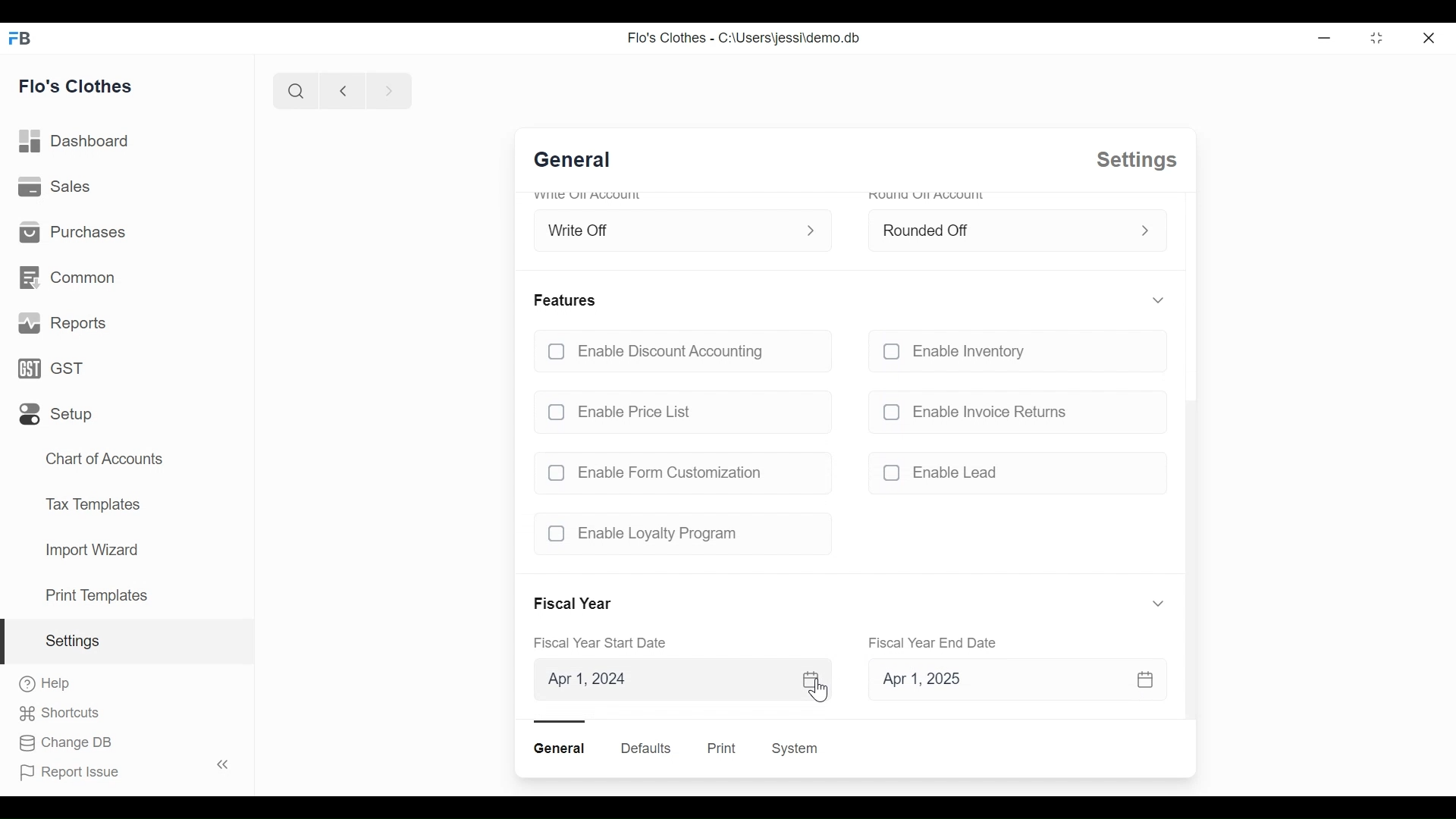 The width and height of the screenshot is (1456, 819). Describe the element at coordinates (93, 504) in the screenshot. I see `Tax Templates` at that location.